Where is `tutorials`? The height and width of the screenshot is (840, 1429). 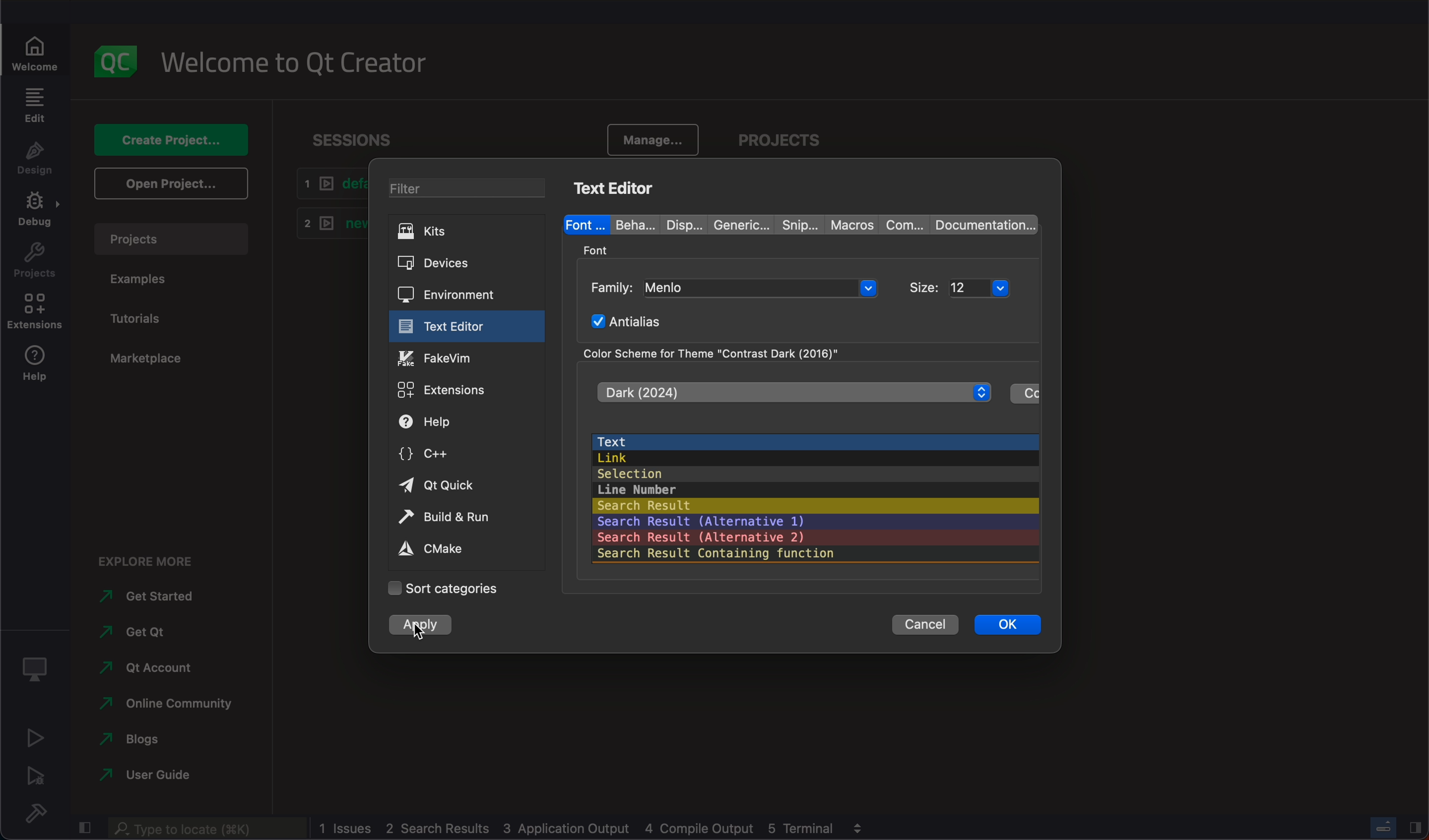 tutorials is located at coordinates (141, 321).